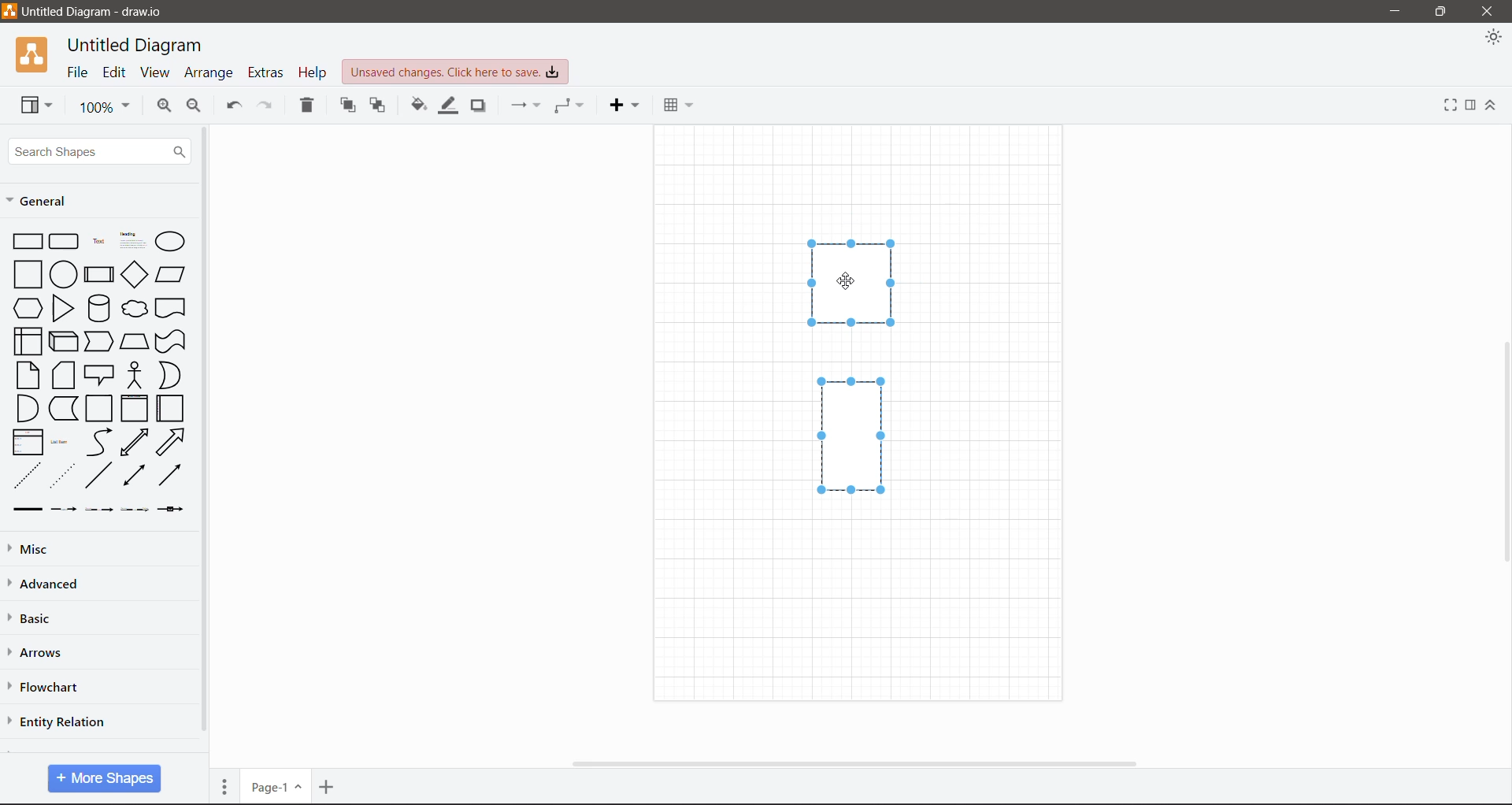 This screenshot has height=805, width=1512. What do you see at coordinates (34, 54) in the screenshot?
I see `Application Logo` at bounding box center [34, 54].